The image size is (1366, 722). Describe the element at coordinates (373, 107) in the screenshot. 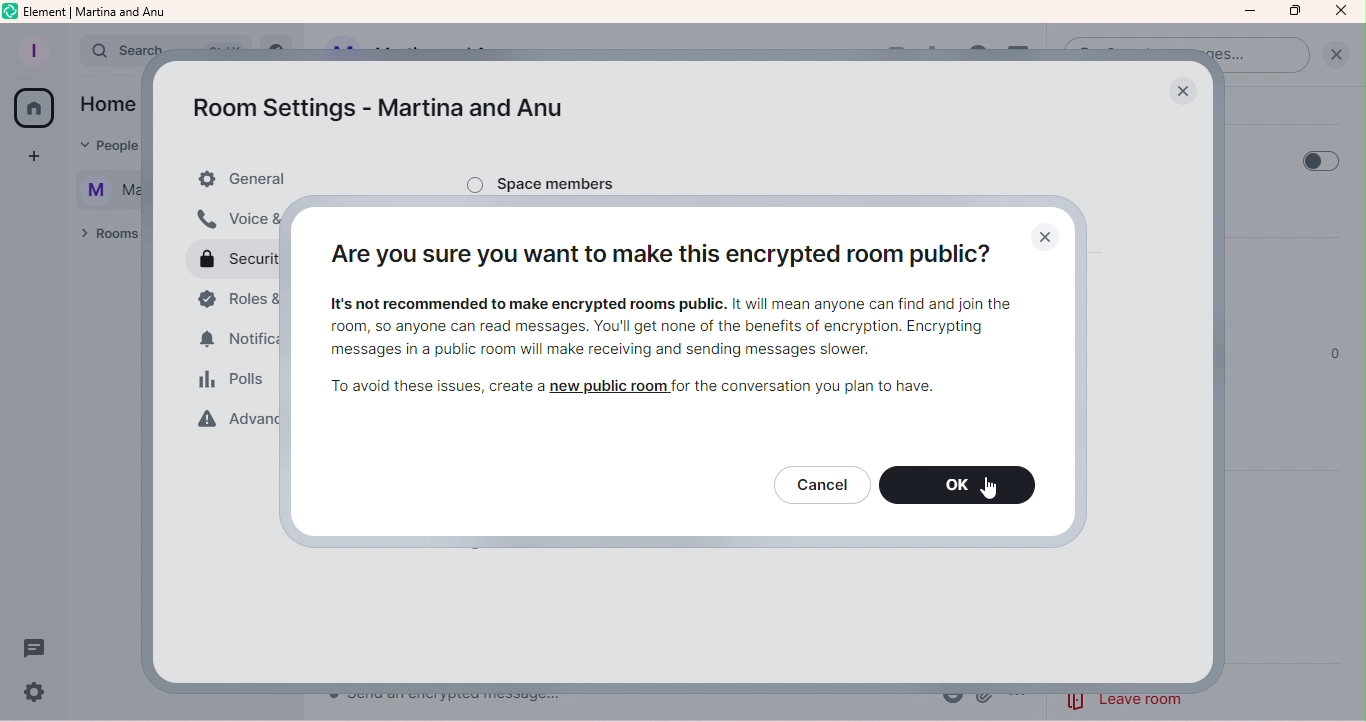

I see `Room settings - Martina and Anu` at that location.